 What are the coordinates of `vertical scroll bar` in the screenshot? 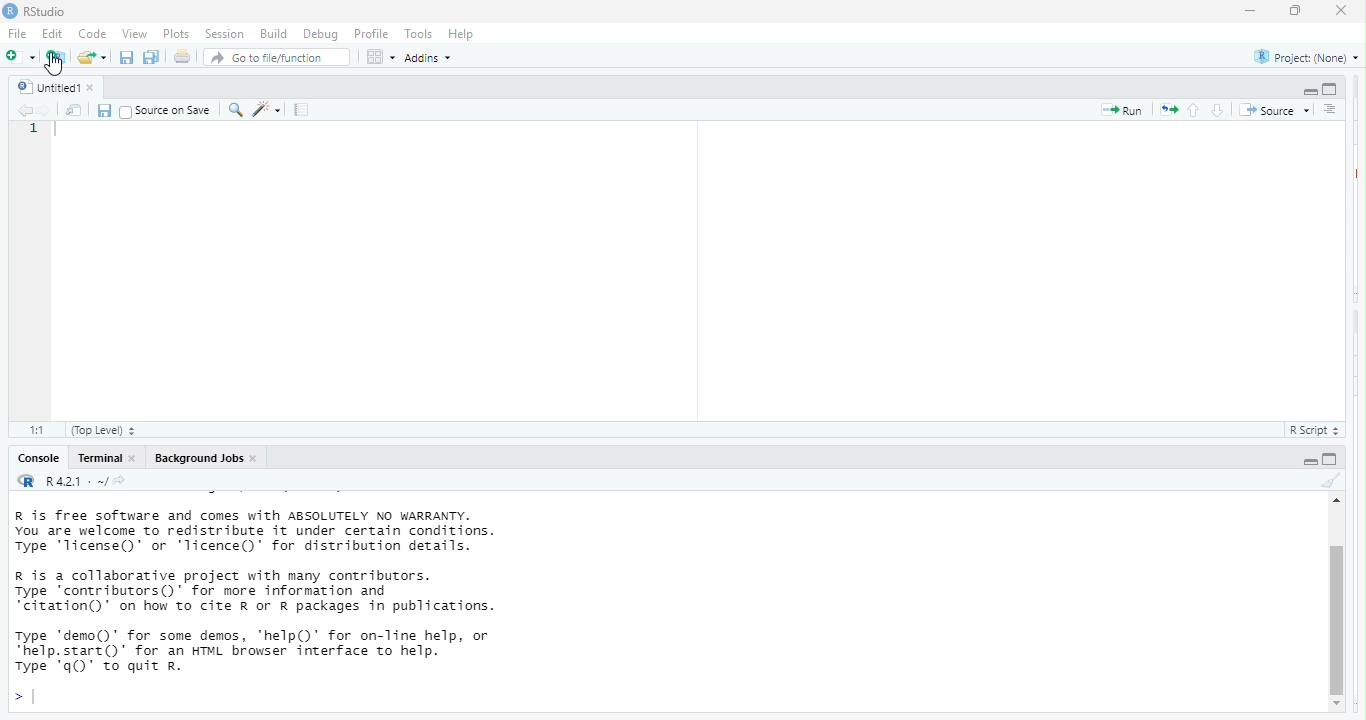 It's located at (1336, 609).